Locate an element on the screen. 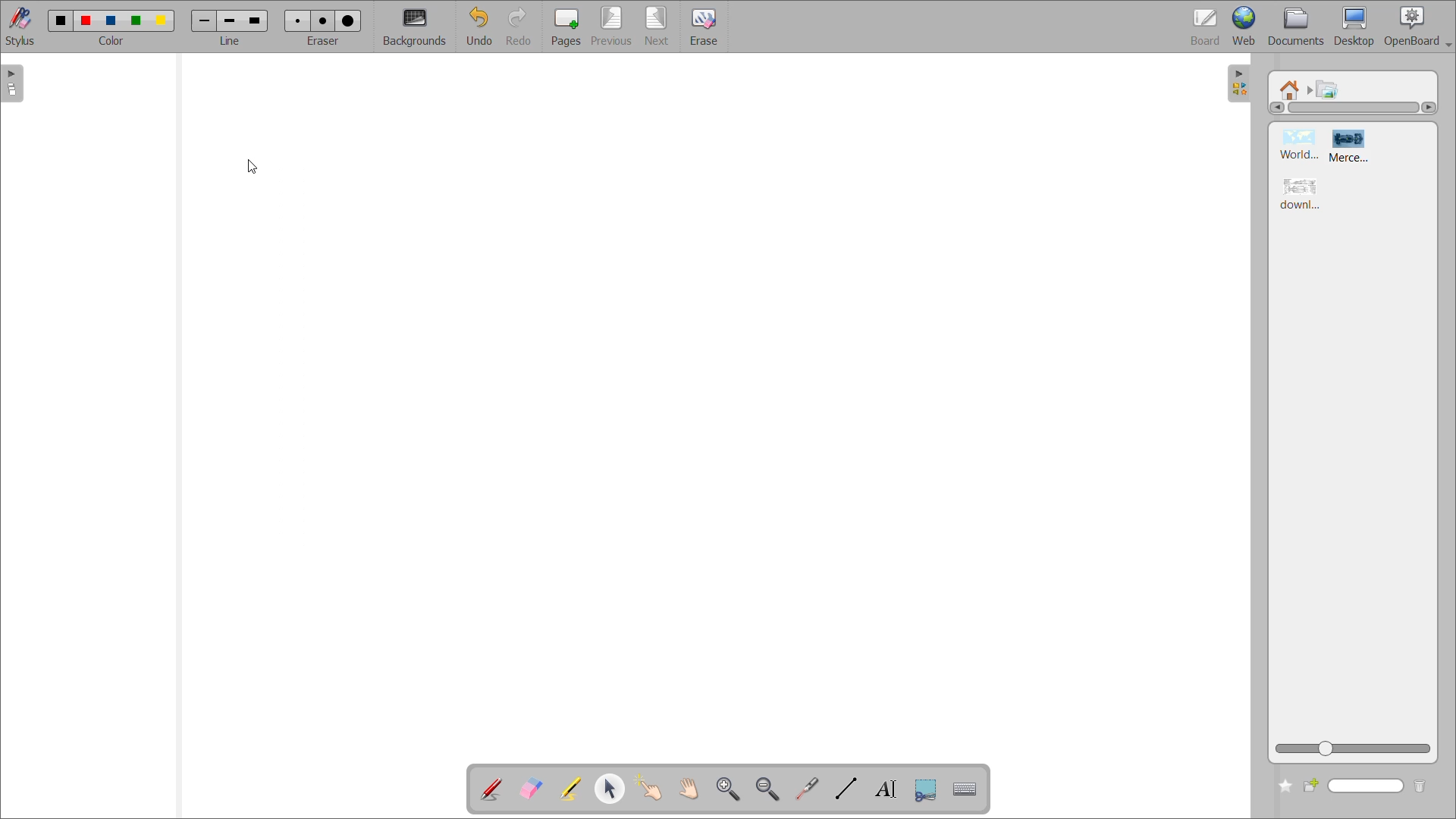 Image resolution: width=1456 pixels, height=819 pixels. write text is located at coordinates (888, 788).